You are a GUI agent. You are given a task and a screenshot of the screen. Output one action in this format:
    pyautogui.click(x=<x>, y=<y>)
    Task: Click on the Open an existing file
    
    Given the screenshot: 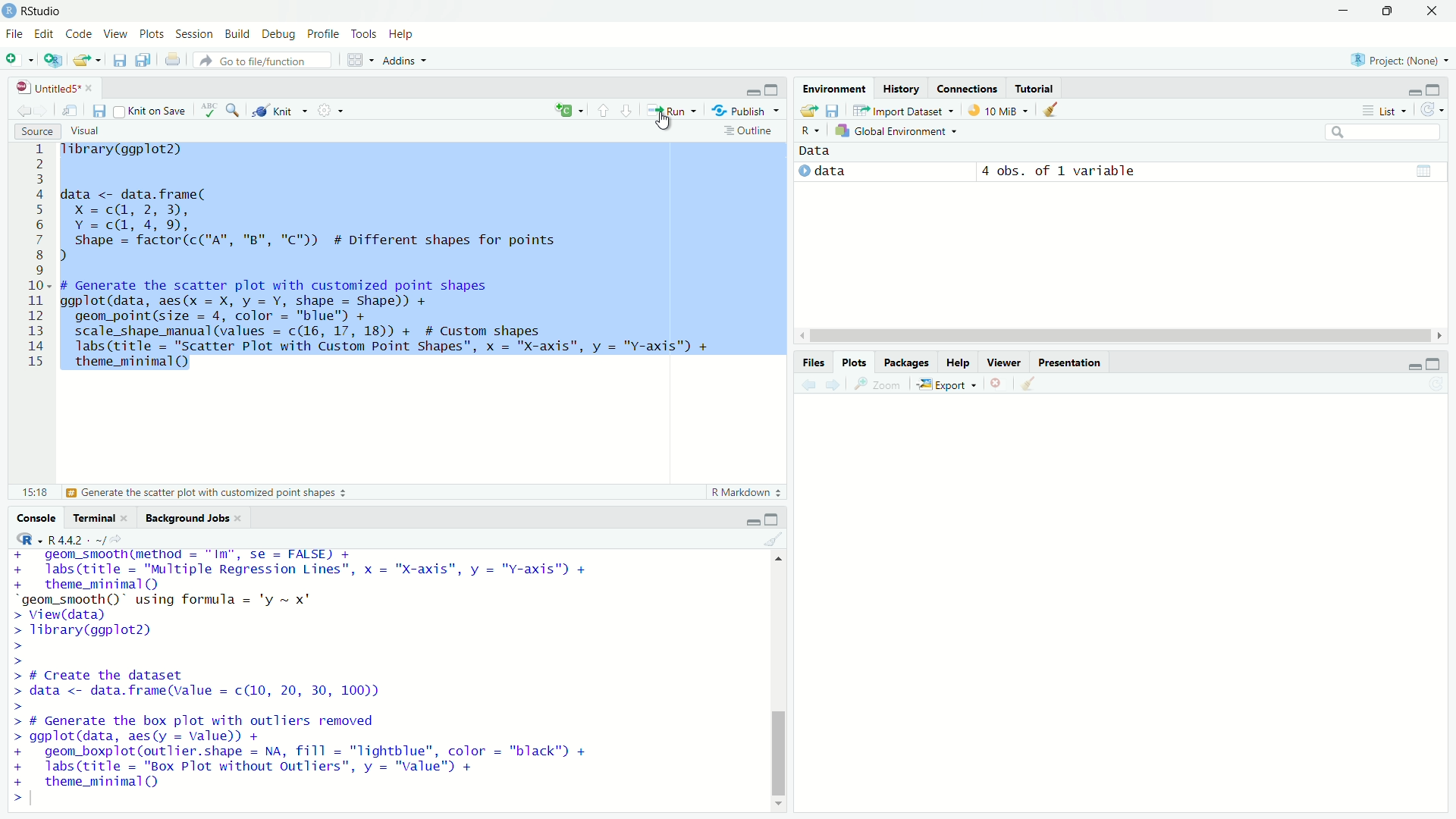 What is the action you would take?
    pyautogui.click(x=80, y=60)
    